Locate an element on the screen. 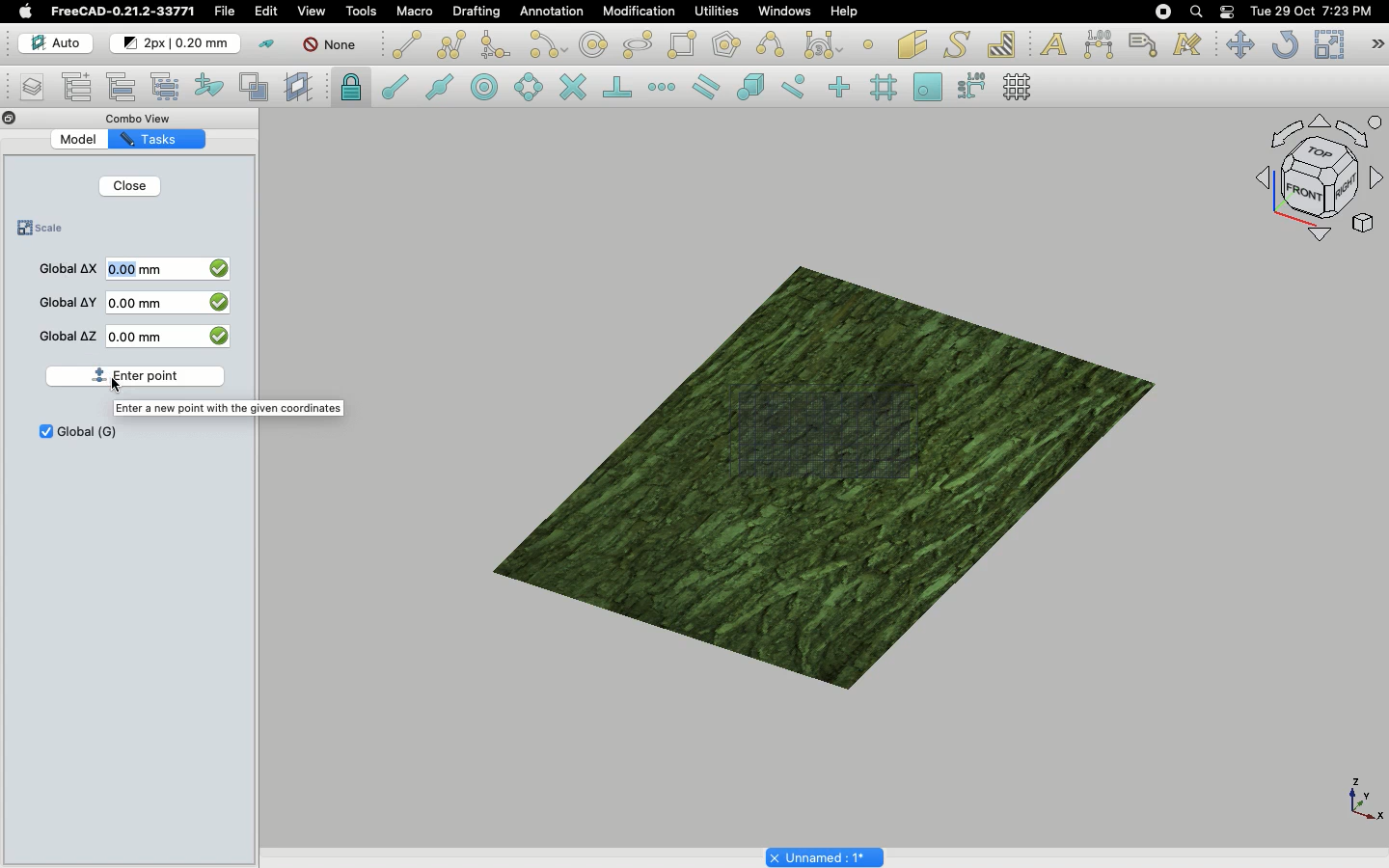 The width and height of the screenshot is (1389, 868). Modification is located at coordinates (633, 11).